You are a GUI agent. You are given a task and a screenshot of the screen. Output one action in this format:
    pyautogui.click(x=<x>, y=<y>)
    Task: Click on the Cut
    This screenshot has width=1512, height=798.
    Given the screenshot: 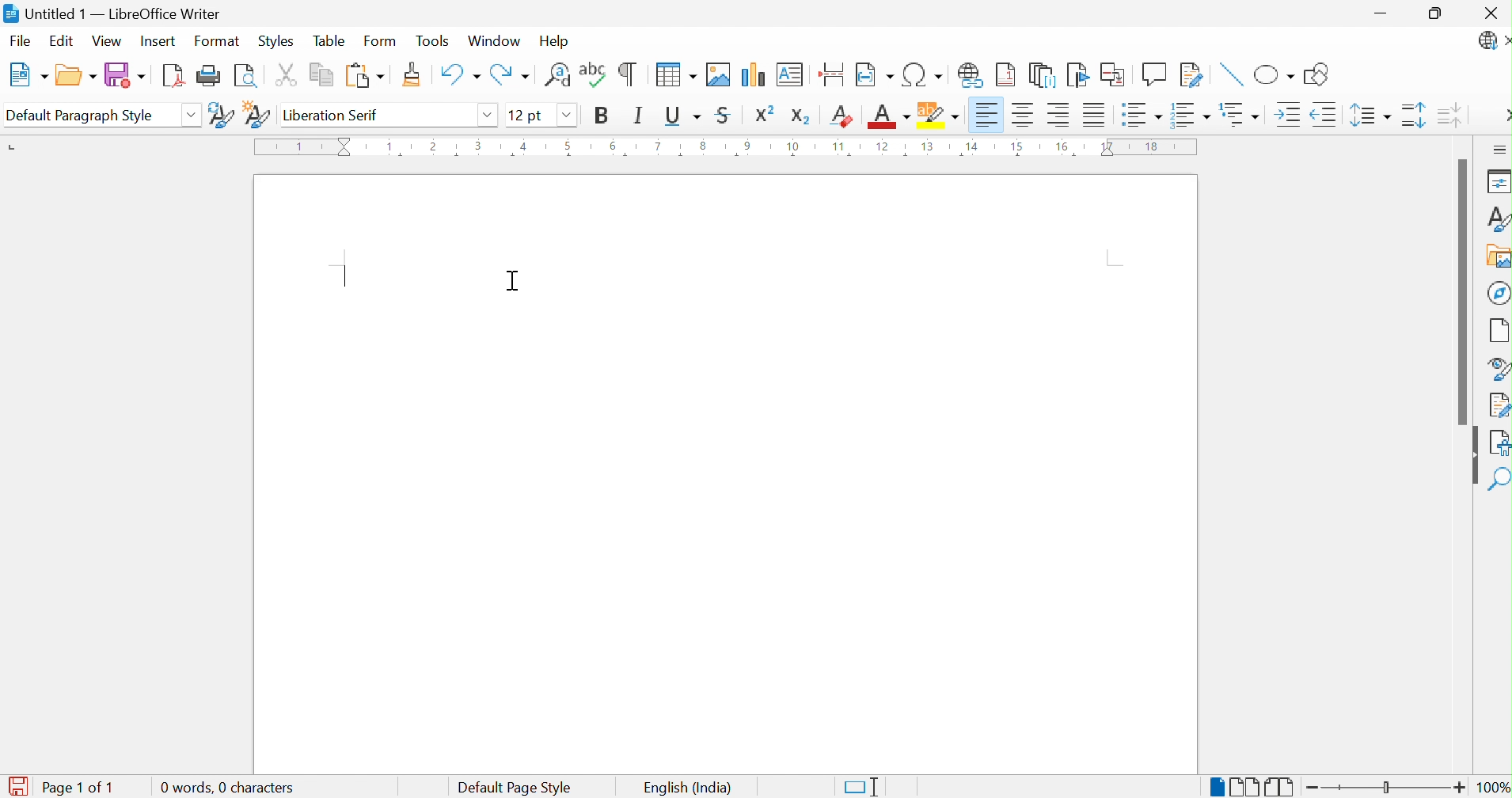 What is the action you would take?
    pyautogui.click(x=284, y=74)
    